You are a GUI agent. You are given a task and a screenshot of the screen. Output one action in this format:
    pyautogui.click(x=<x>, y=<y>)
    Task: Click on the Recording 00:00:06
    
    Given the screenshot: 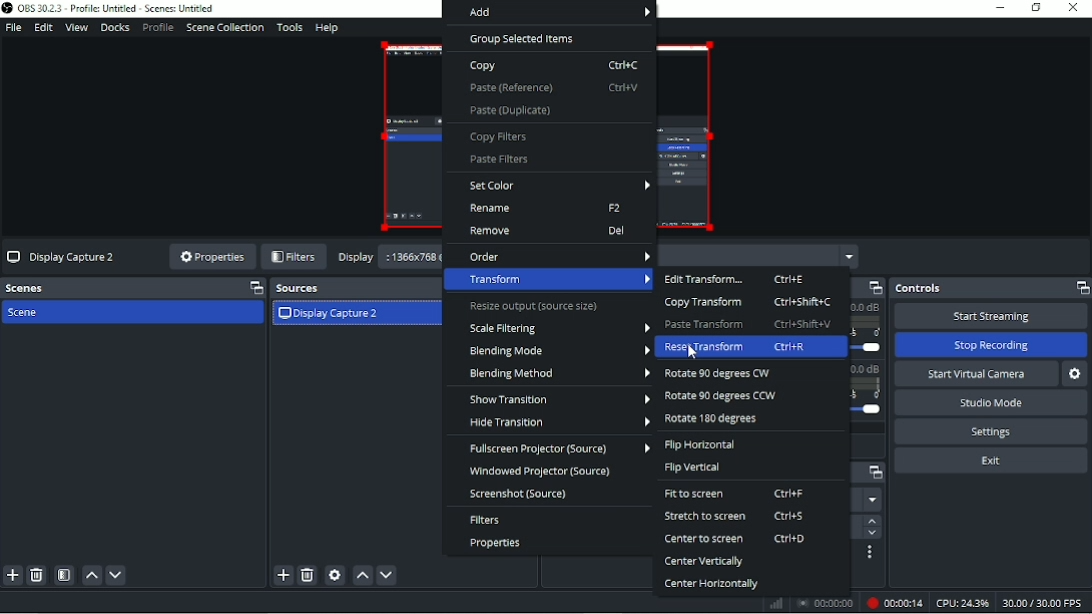 What is the action you would take?
    pyautogui.click(x=892, y=603)
    